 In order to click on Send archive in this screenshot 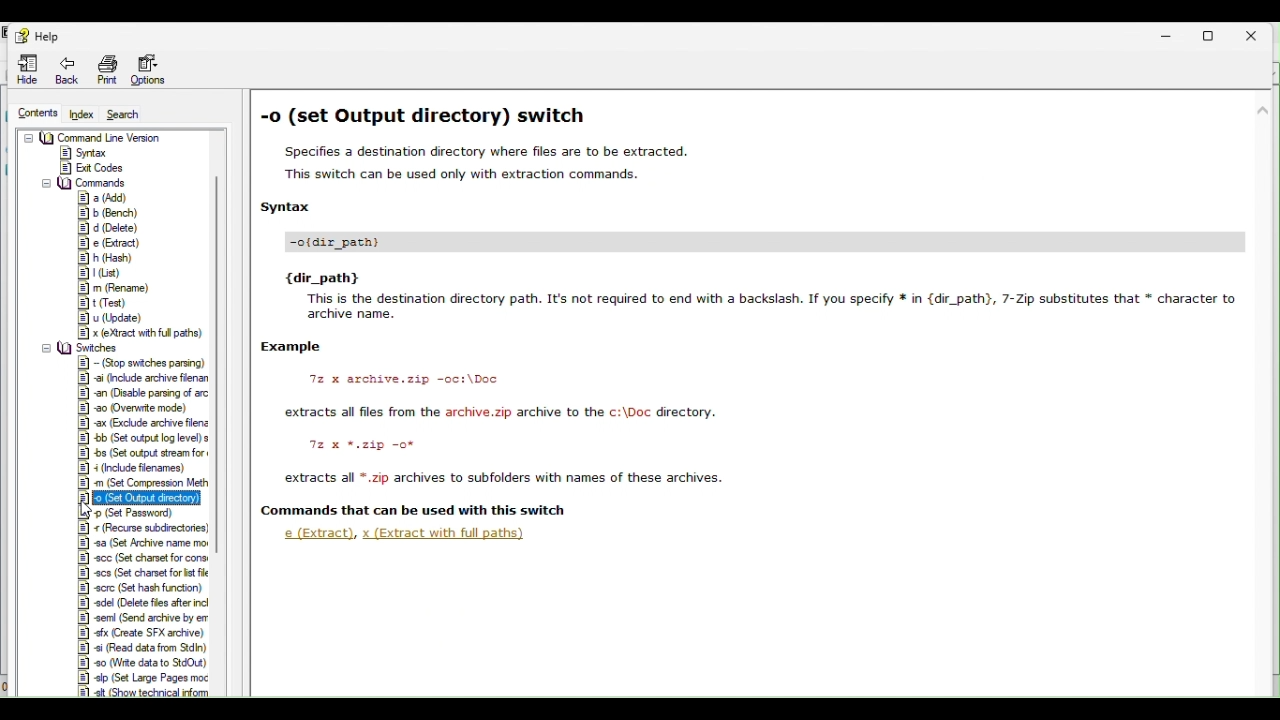, I will do `click(144, 616)`.